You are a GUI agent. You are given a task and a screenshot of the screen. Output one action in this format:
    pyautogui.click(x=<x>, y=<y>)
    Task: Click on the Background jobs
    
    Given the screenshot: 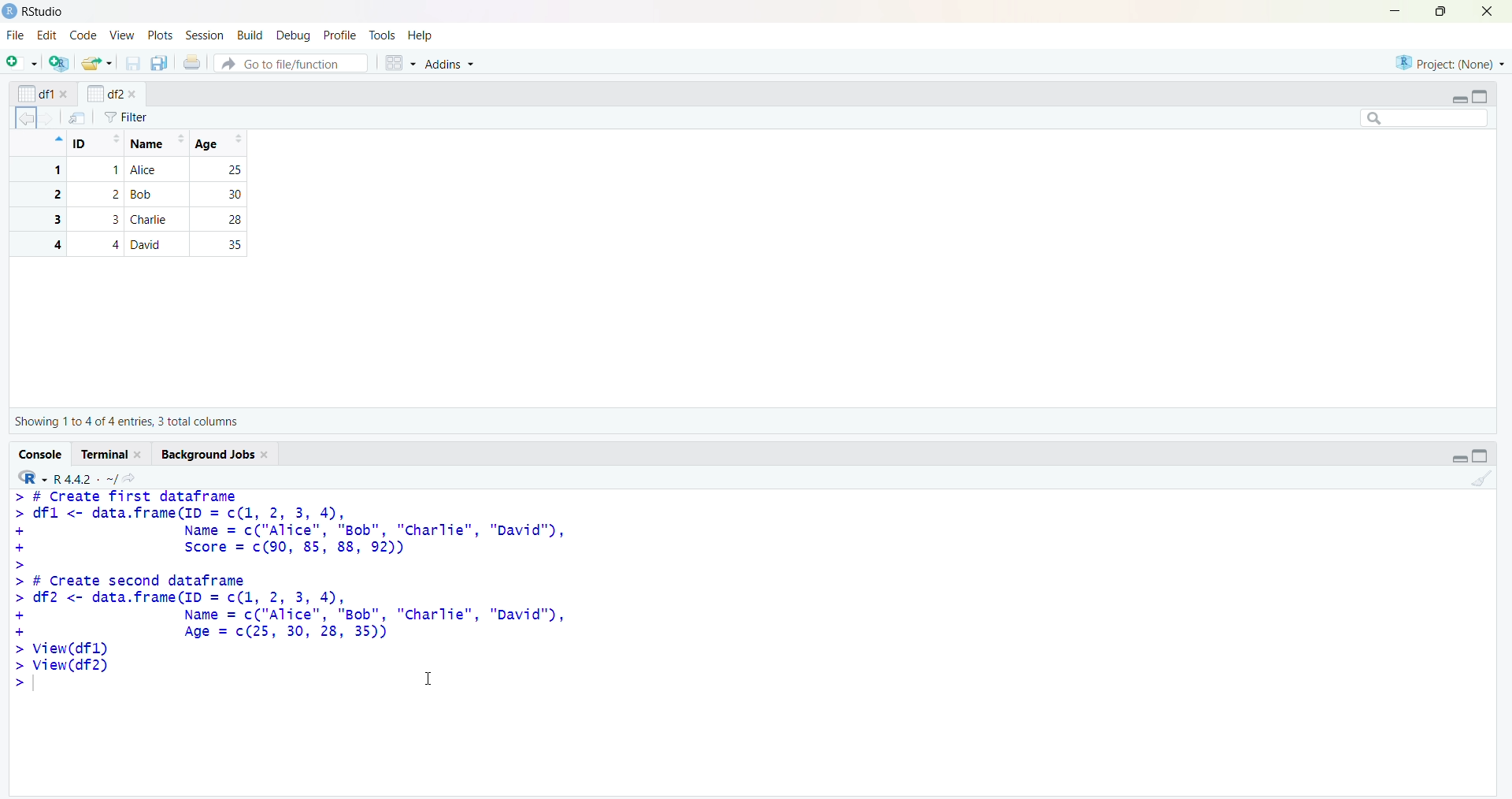 What is the action you would take?
    pyautogui.click(x=208, y=455)
    